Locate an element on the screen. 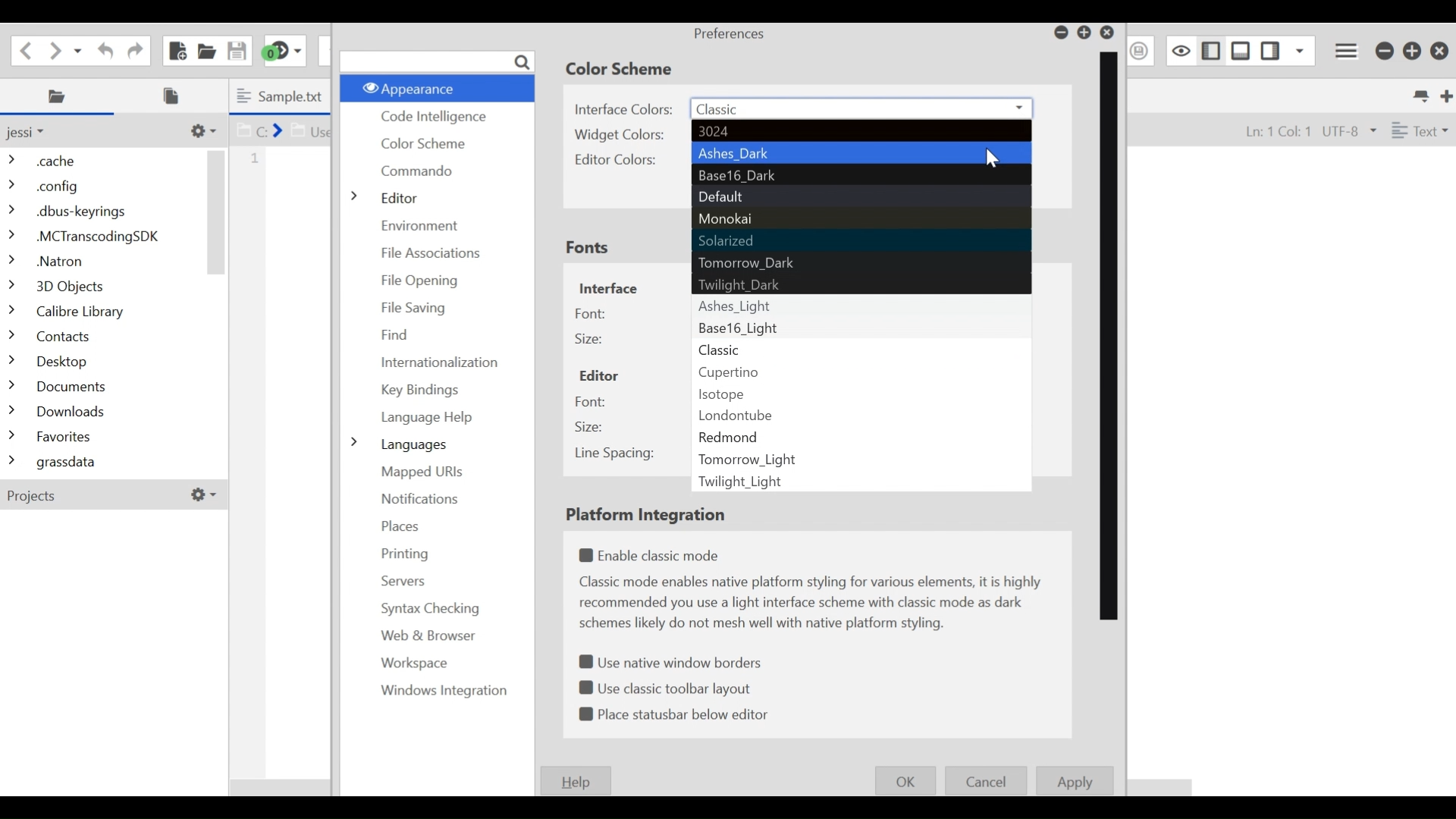 This screenshot has height=819, width=1456. Mapped URL is located at coordinates (422, 472).